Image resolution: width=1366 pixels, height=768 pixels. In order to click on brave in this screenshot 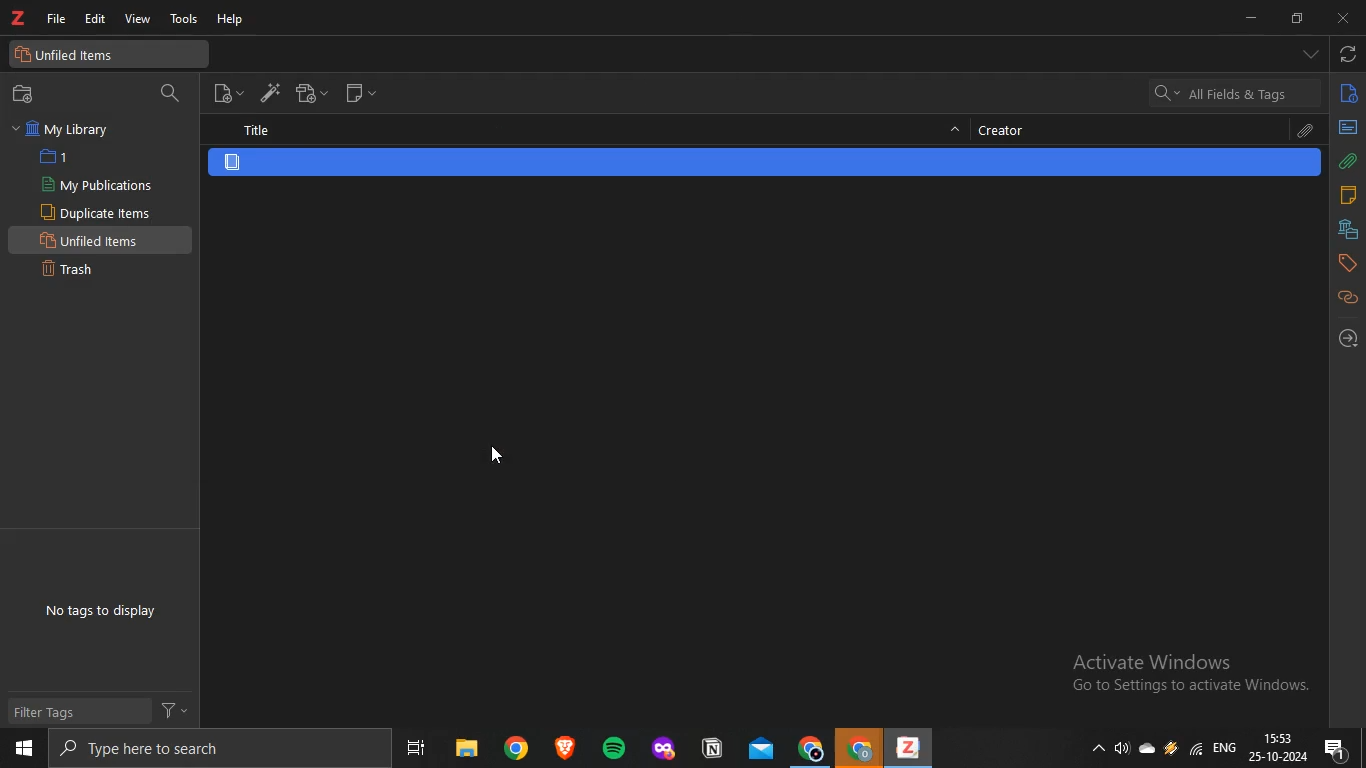, I will do `click(563, 747)`.